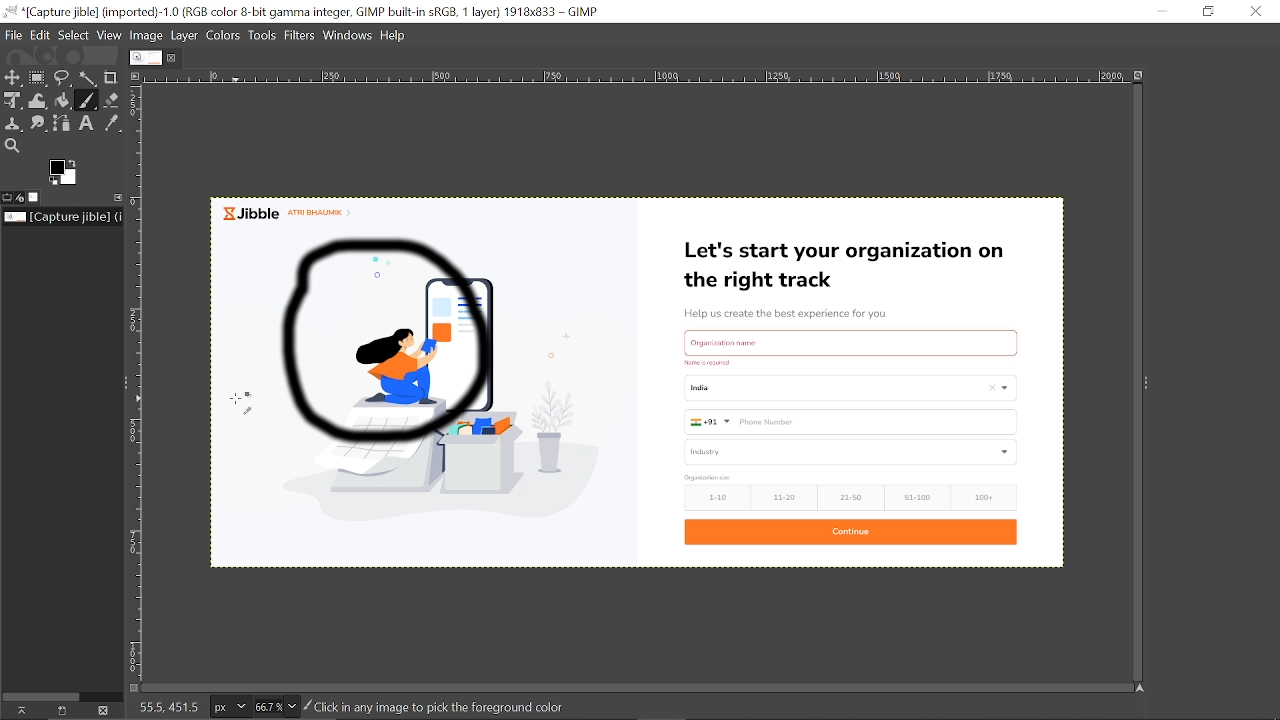  Describe the element at coordinates (22, 198) in the screenshot. I see `Device status` at that location.